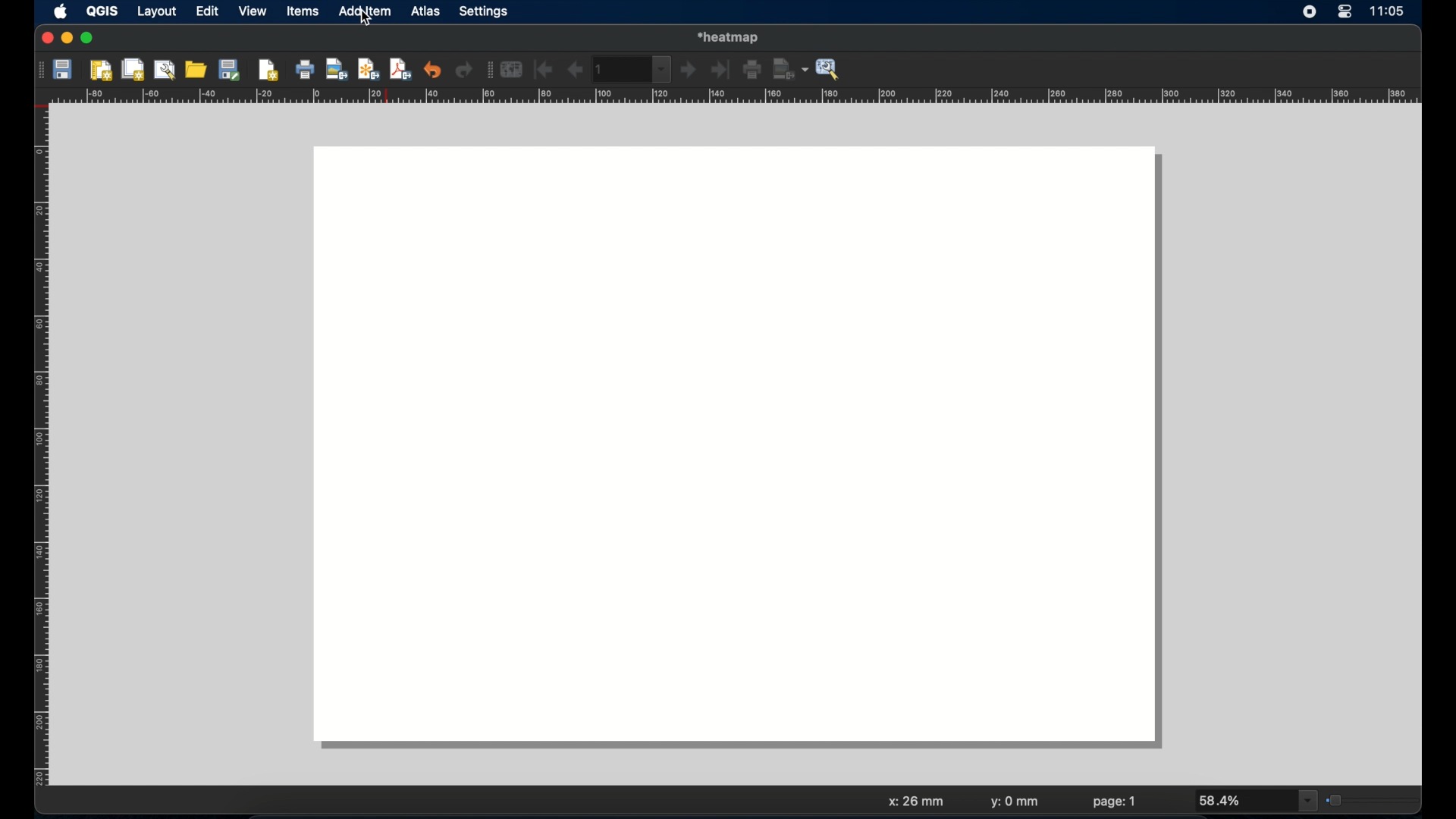 This screenshot has width=1456, height=819. What do you see at coordinates (829, 70) in the screenshot?
I see `atlas settings` at bounding box center [829, 70].